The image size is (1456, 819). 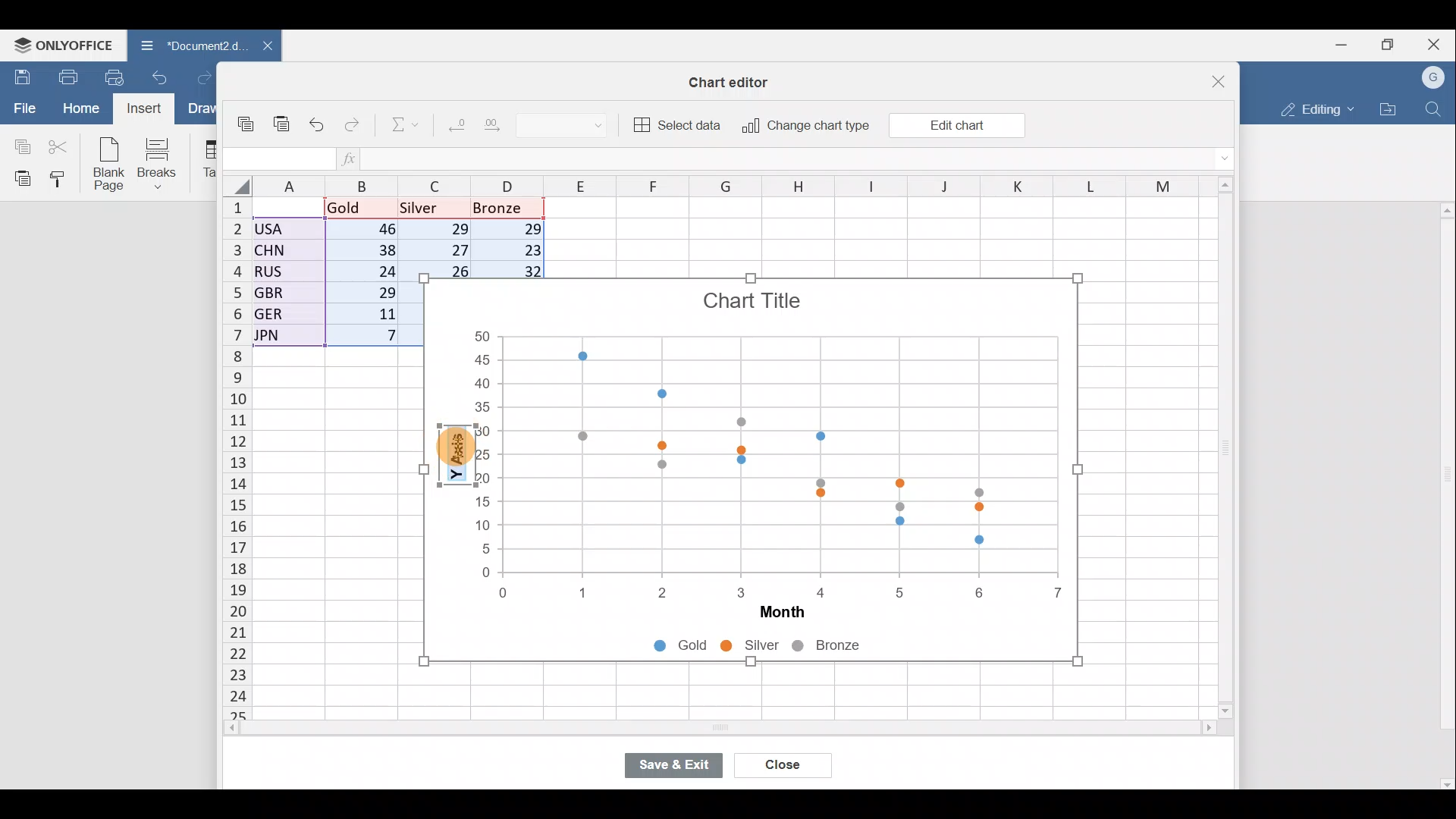 I want to click on Find, so click(x=1434, y=109).